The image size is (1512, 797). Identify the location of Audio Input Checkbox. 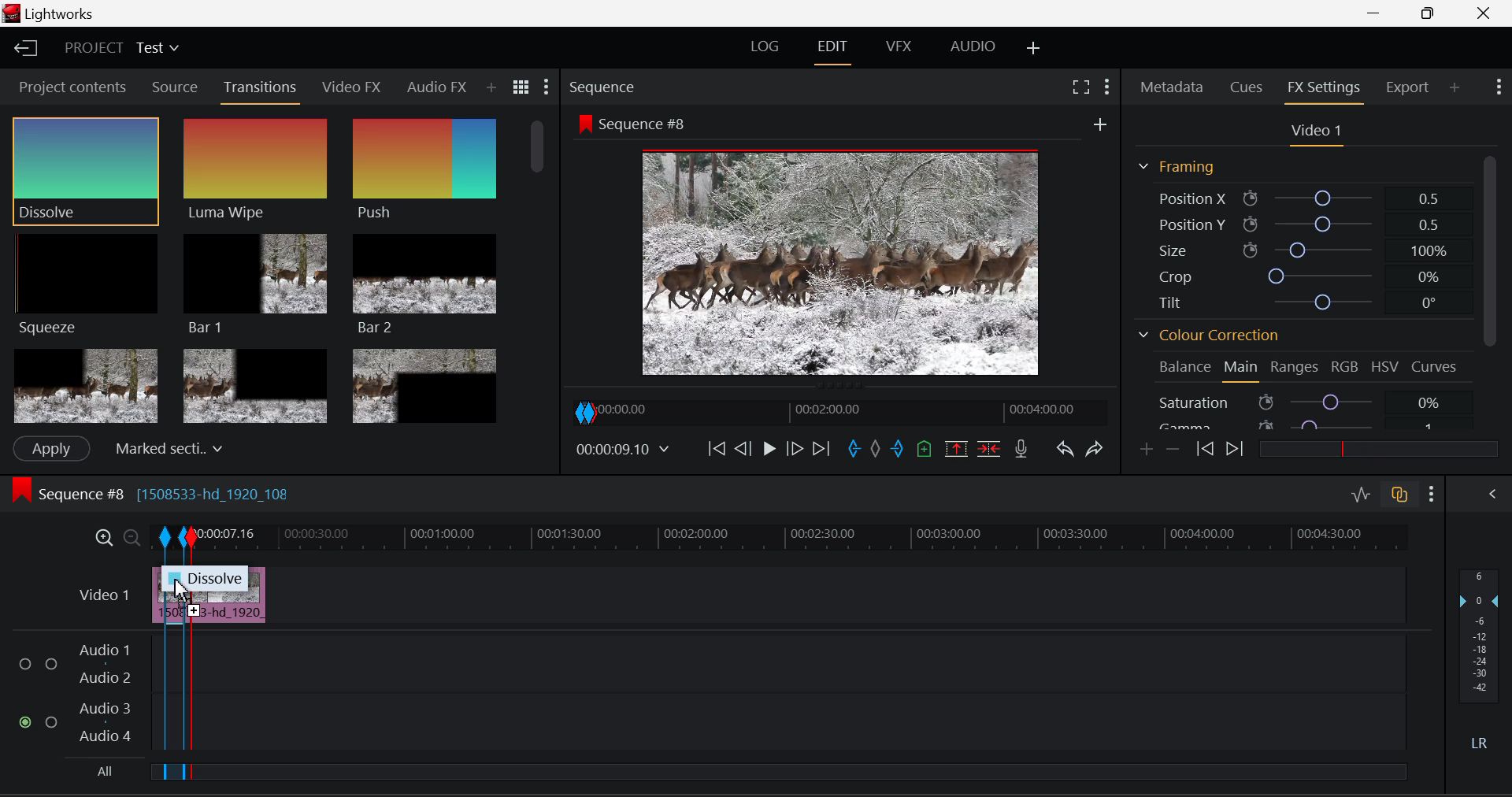
(27, 664).